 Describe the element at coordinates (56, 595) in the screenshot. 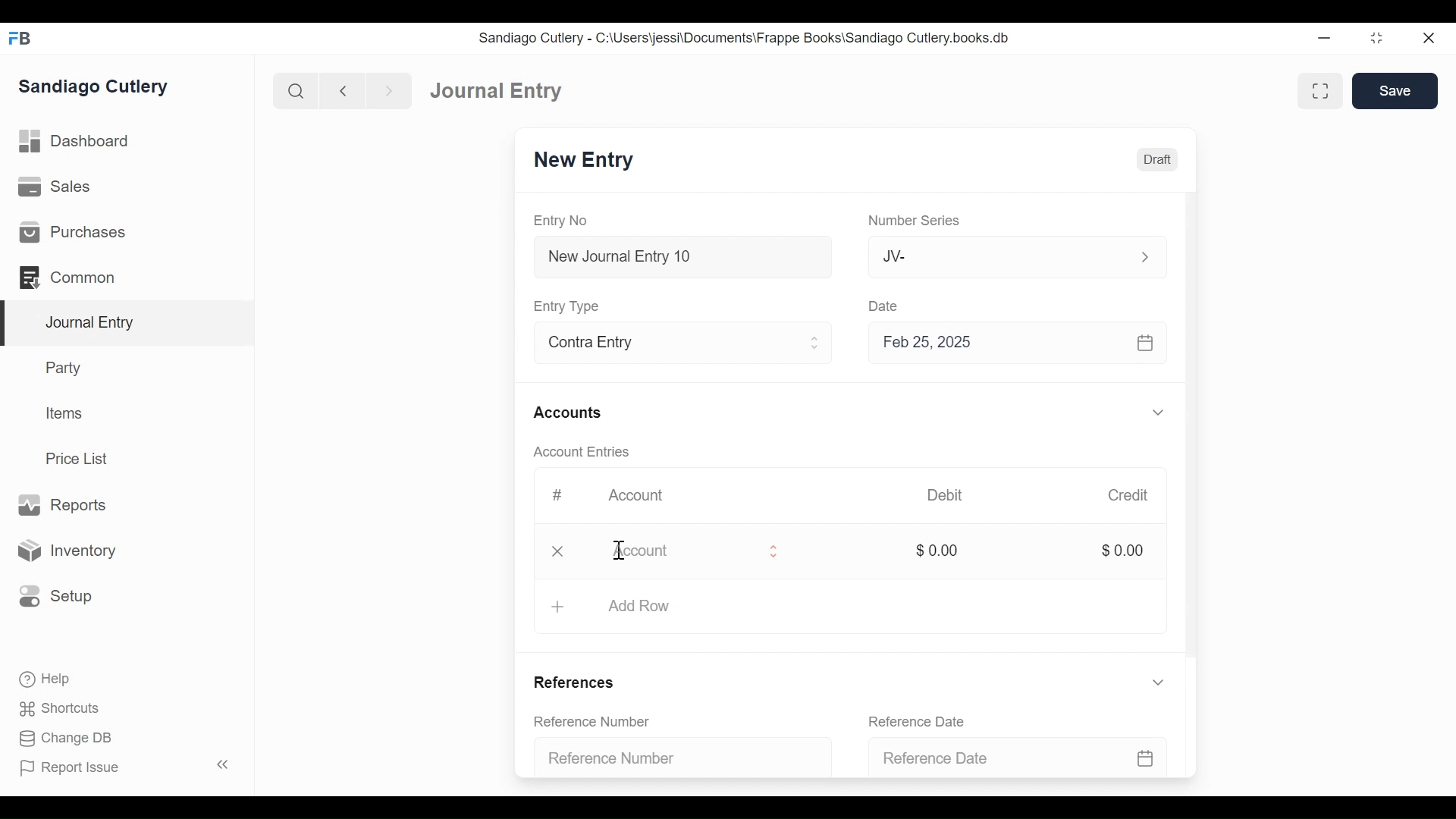

I see `Setup` at that location.